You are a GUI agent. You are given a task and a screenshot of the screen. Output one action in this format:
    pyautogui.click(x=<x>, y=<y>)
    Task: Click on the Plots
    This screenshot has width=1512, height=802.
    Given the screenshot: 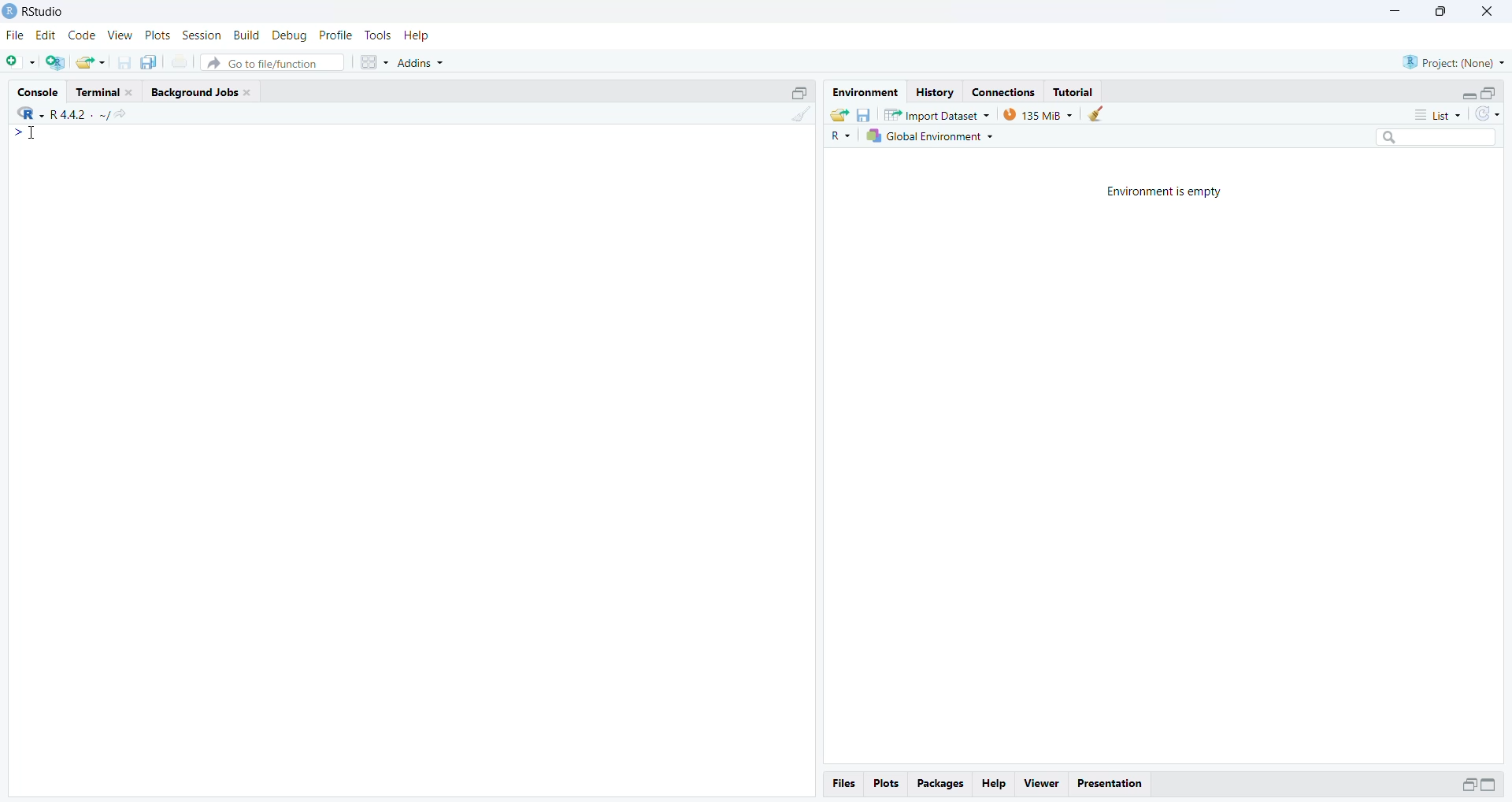 What is the action you would take?
    pyautogui.click(x=889, y=785)
    